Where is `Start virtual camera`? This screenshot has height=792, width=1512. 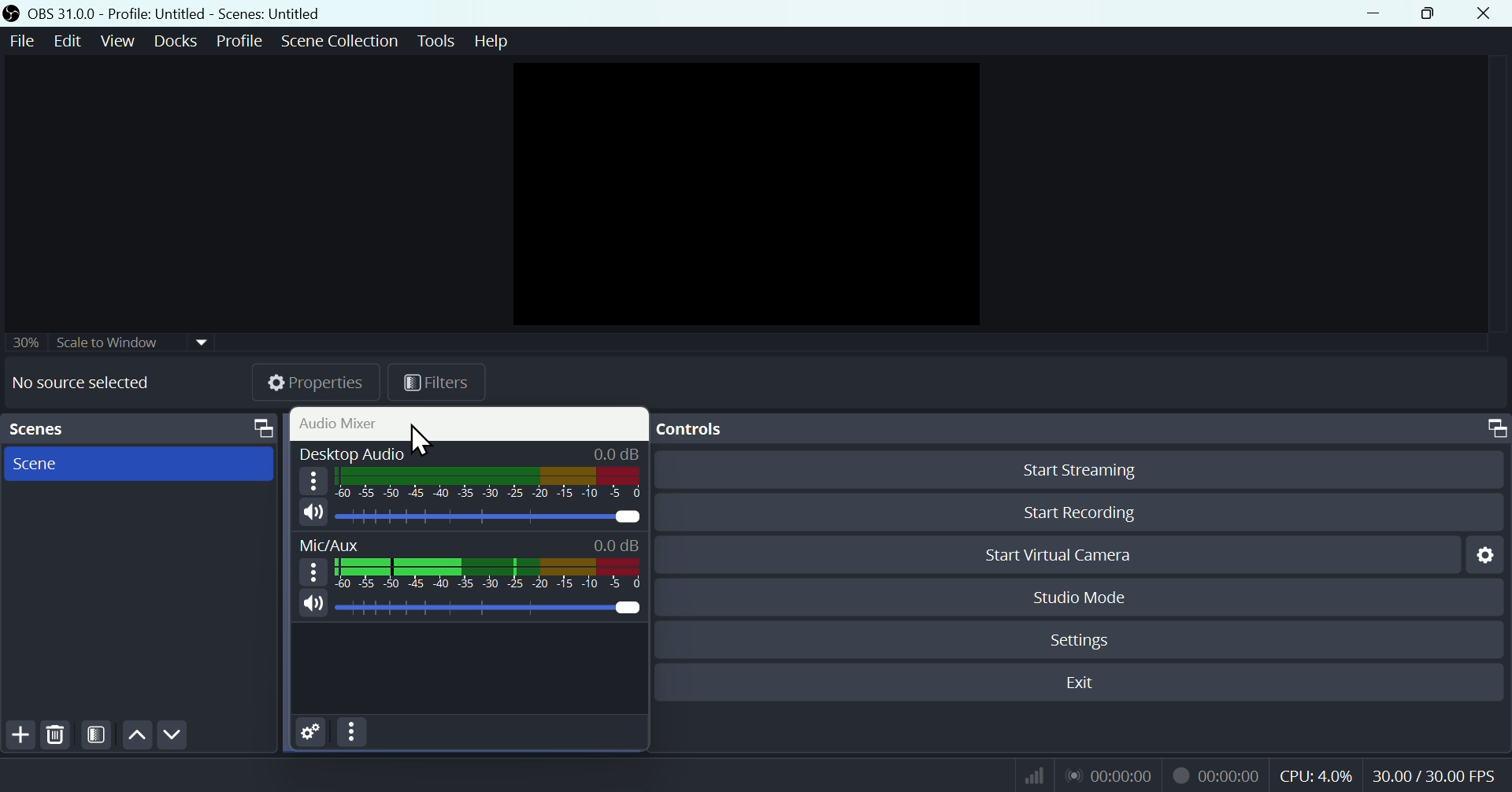
Start virtual camera is located at coordinates (1075, 555).